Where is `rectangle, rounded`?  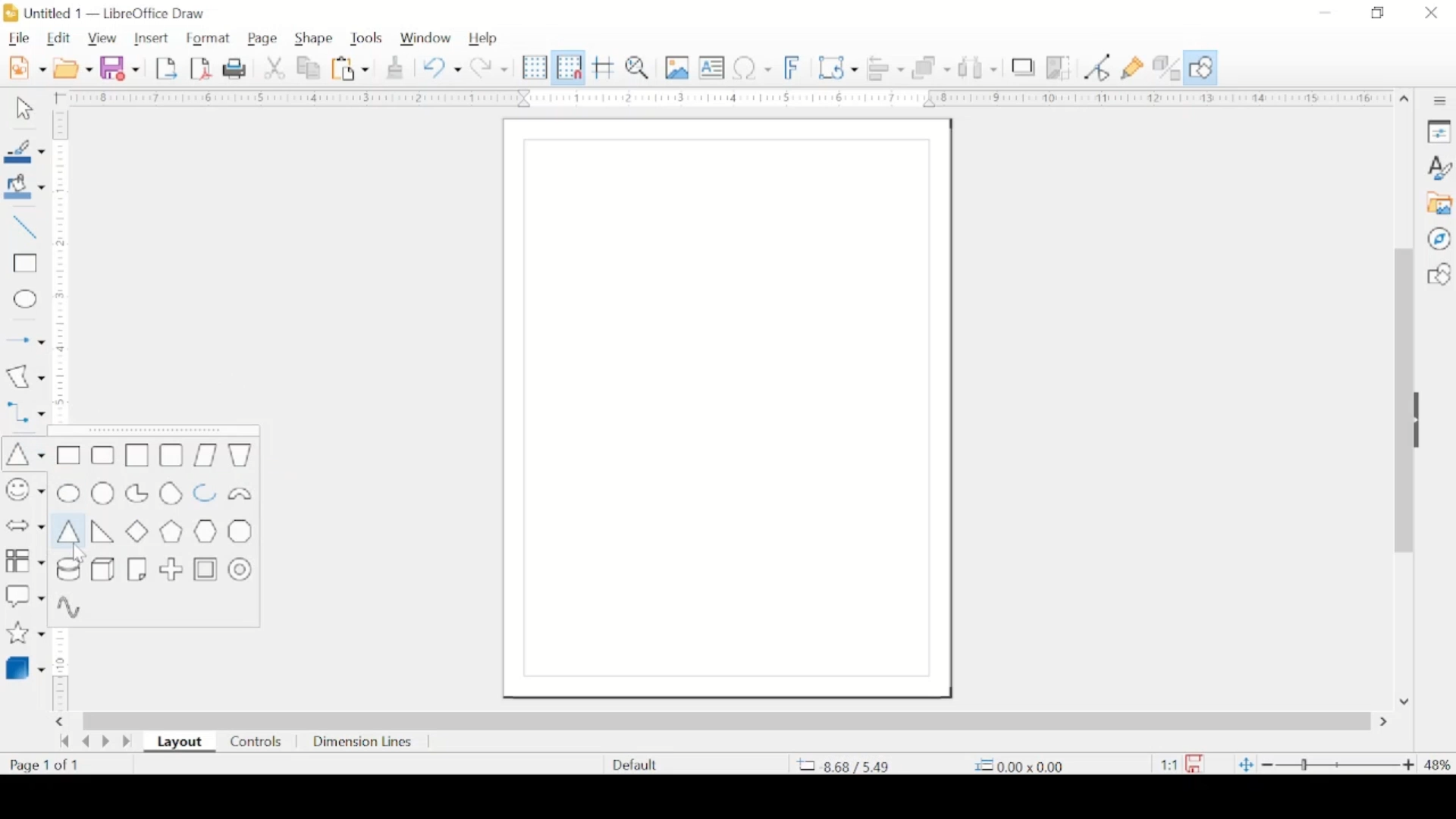 rectangle, rounded is located at coordinates (103, 454).